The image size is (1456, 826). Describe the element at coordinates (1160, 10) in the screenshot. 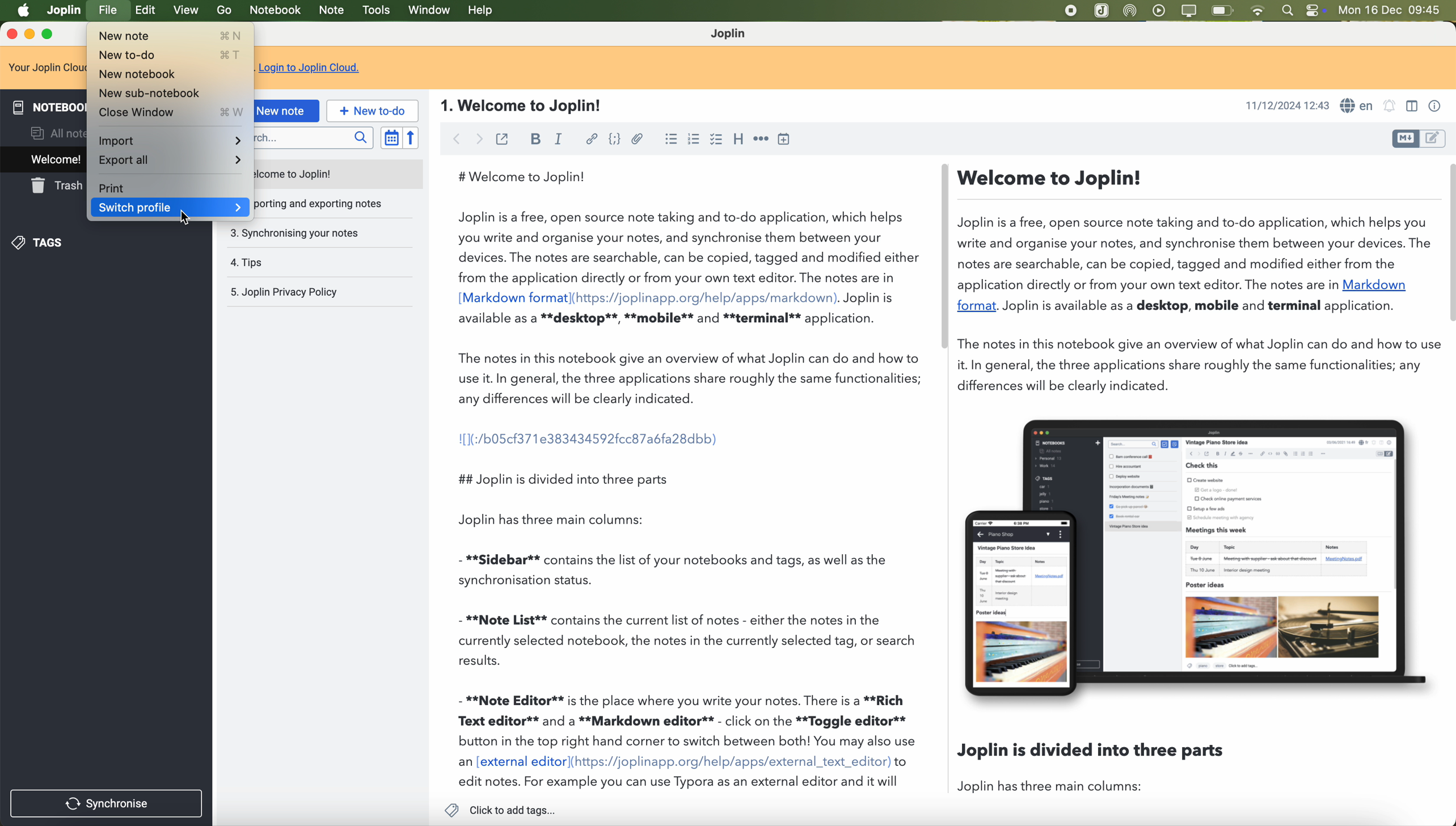

I see `play` at that location.